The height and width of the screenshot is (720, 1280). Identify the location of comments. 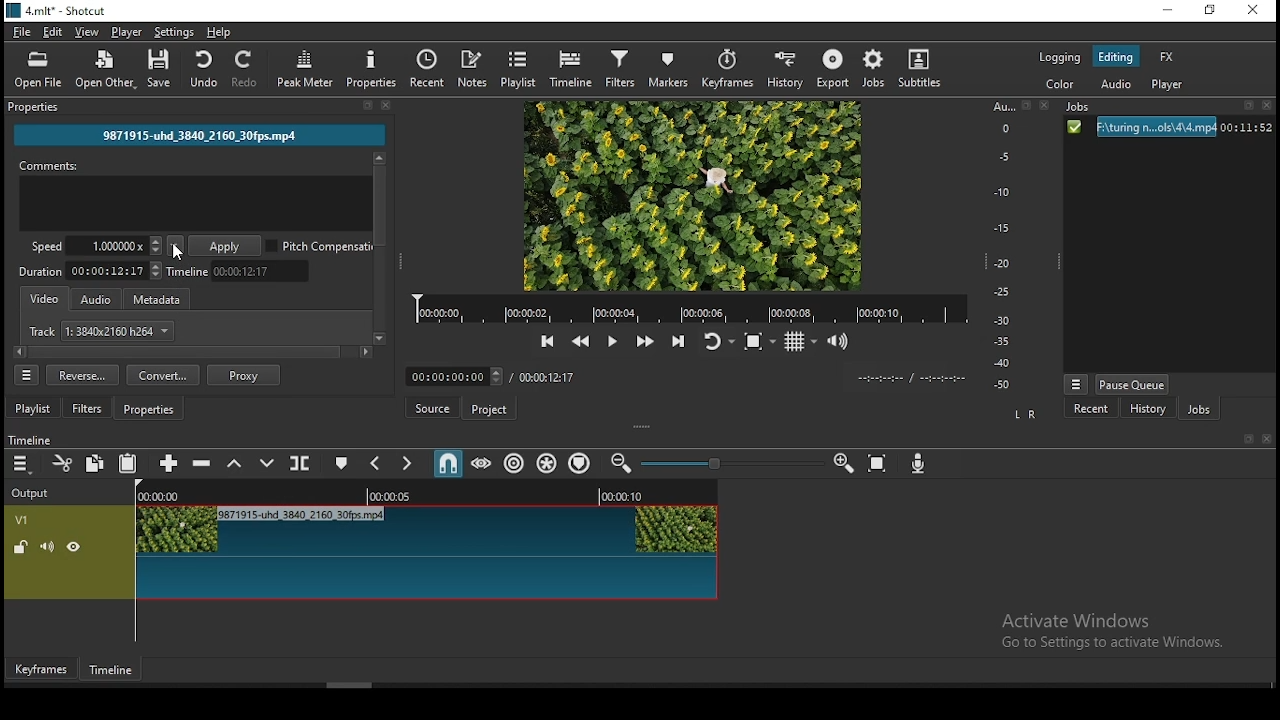
(195, 194).